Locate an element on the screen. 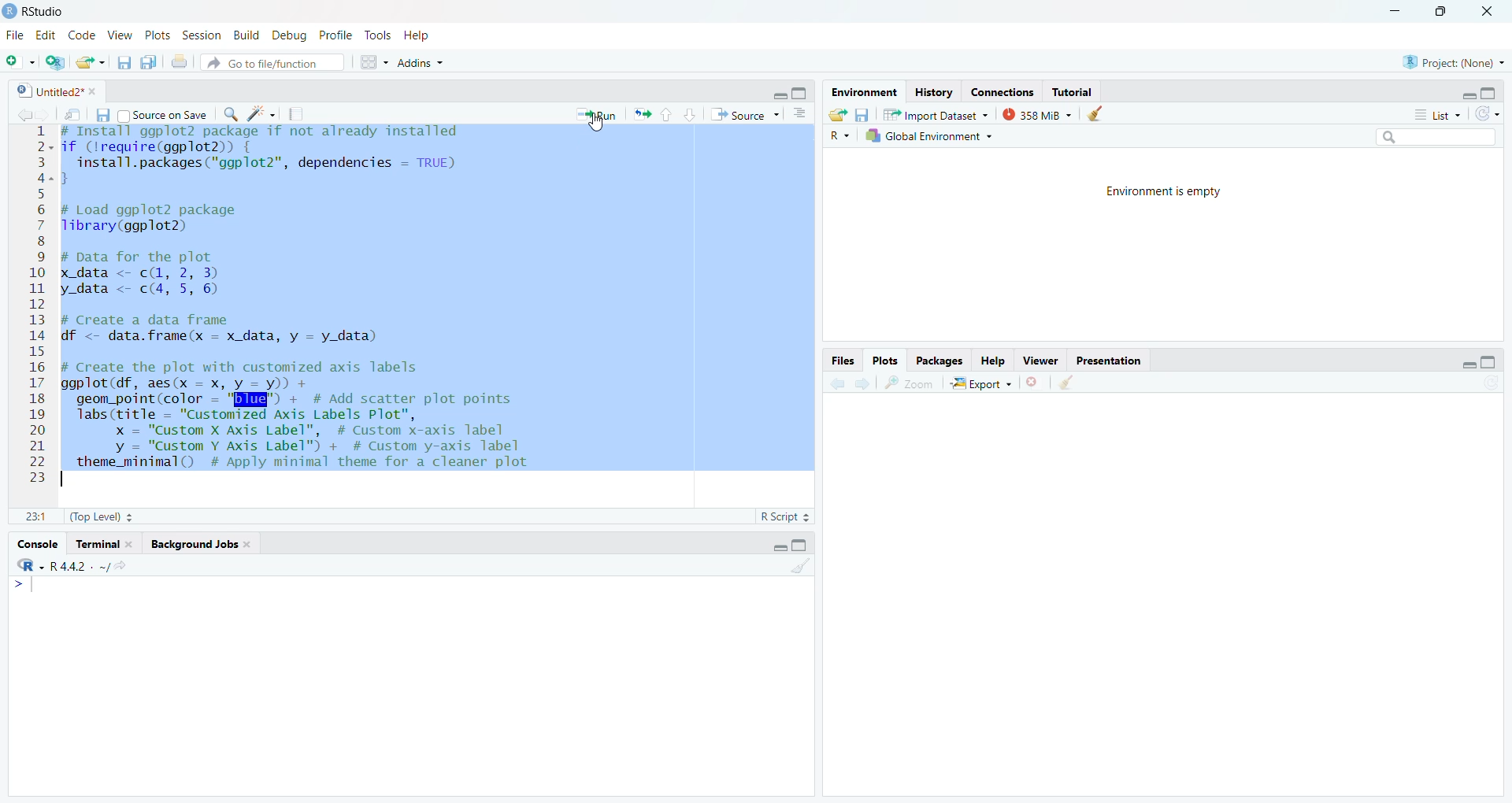  > | is located at coordinates (31, 587).